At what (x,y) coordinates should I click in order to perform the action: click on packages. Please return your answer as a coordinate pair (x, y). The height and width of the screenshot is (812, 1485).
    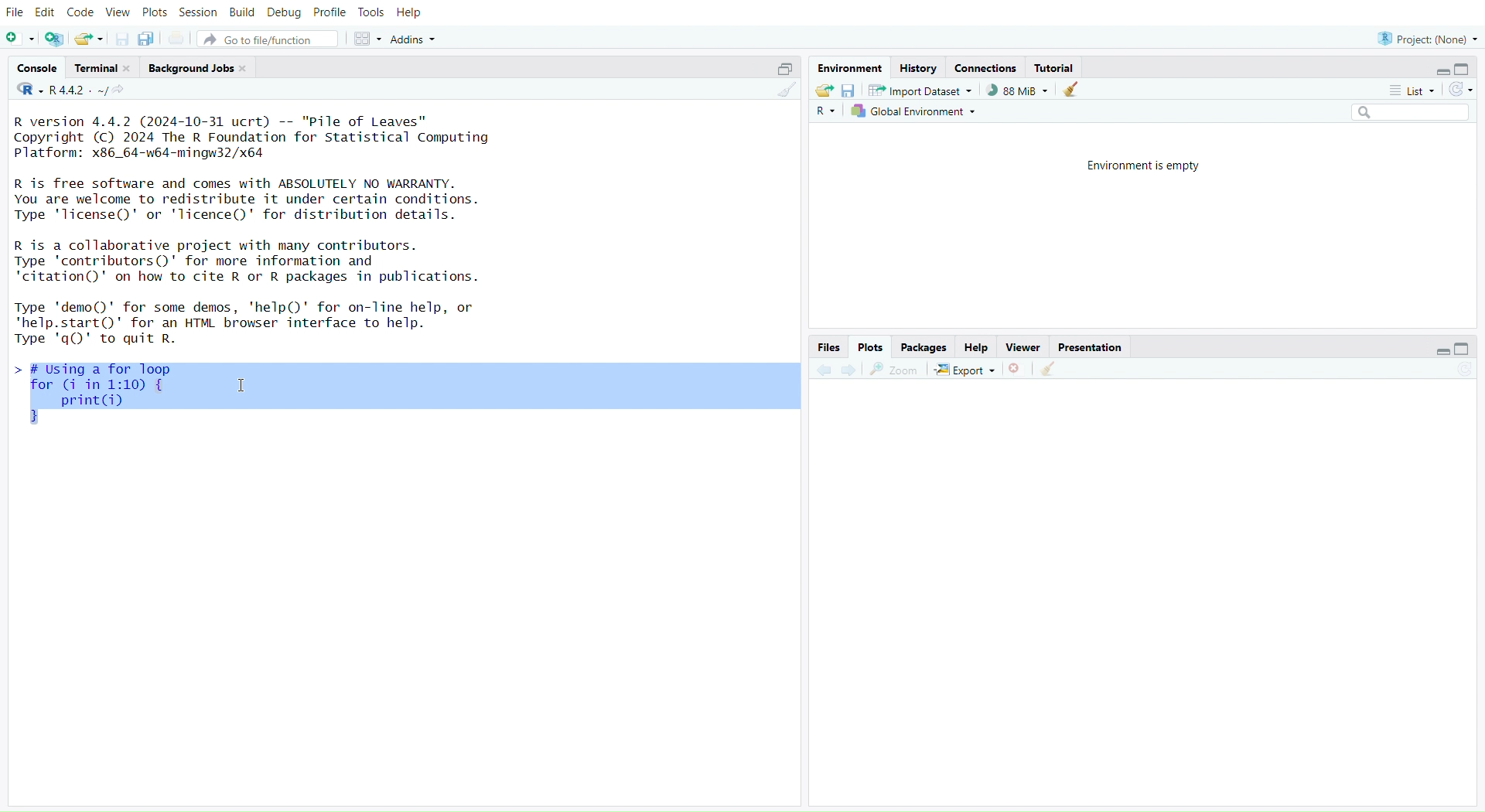
    Looking at the image, I should click on (925, 348).